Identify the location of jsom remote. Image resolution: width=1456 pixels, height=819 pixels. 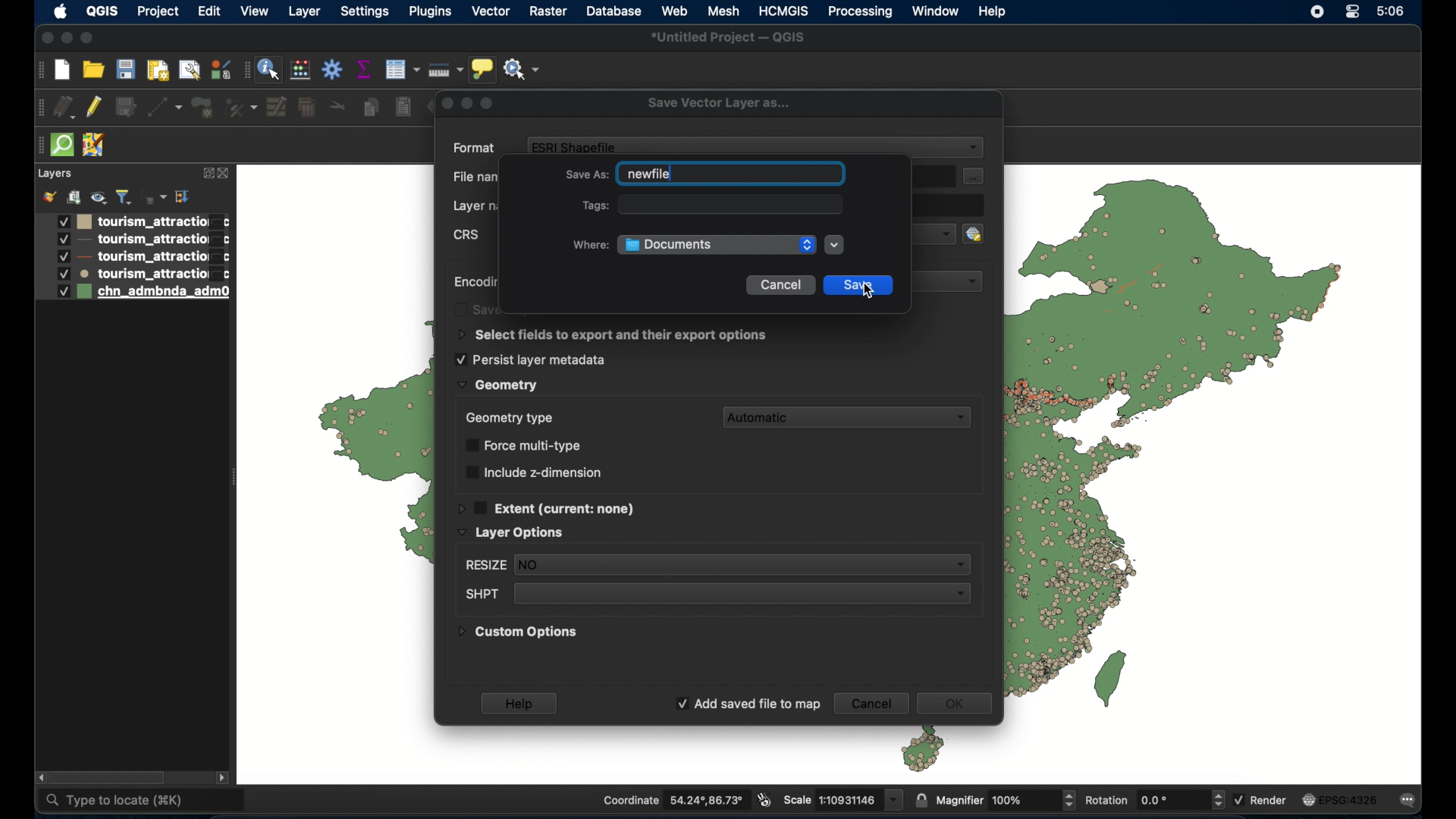
(95, 146).